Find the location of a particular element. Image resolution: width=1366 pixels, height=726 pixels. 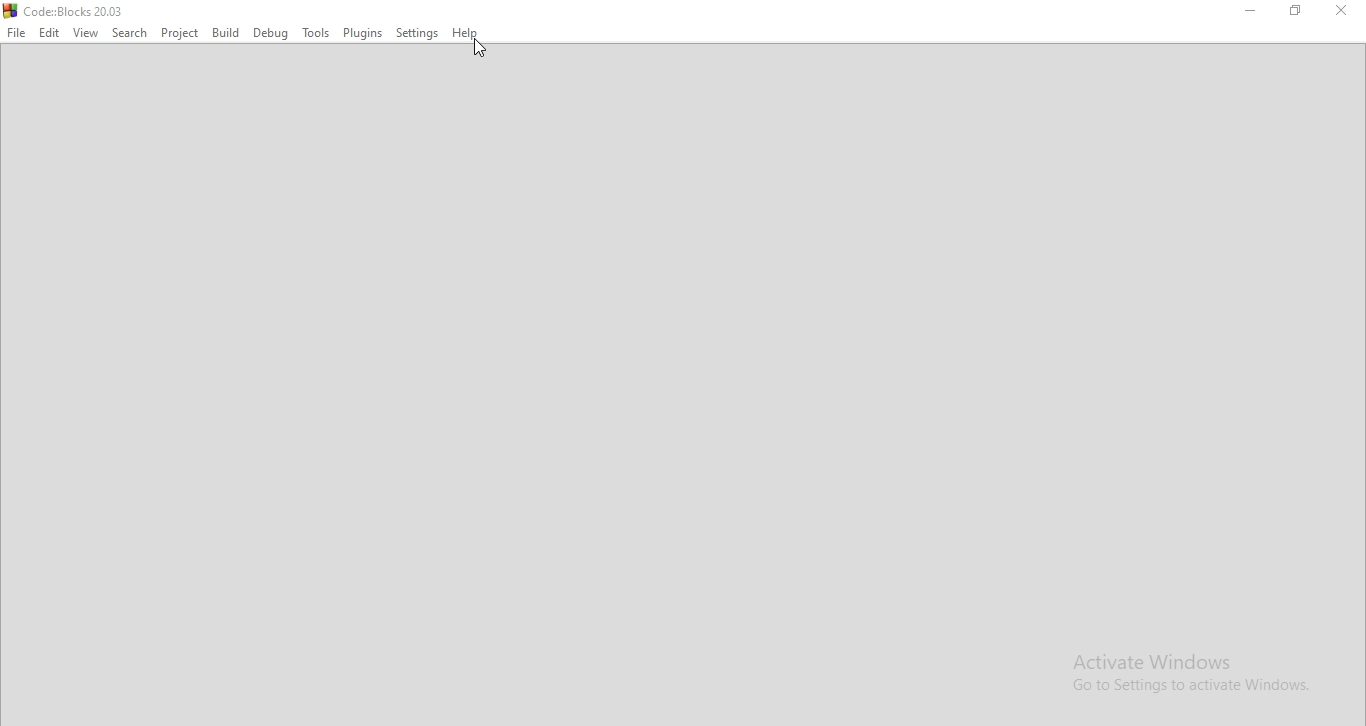

Restore is located at coordinates (1297, 13).